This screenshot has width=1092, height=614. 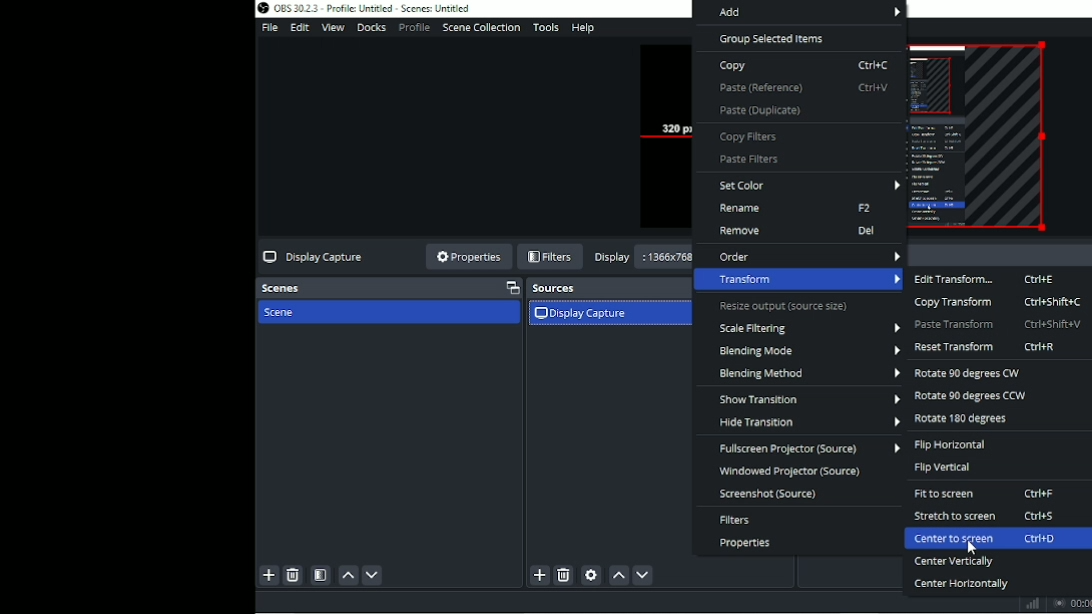 What do you see at coordinates (753, 137) in the screenshot?
I see `Copy filters` at bounding box center [753, 137].